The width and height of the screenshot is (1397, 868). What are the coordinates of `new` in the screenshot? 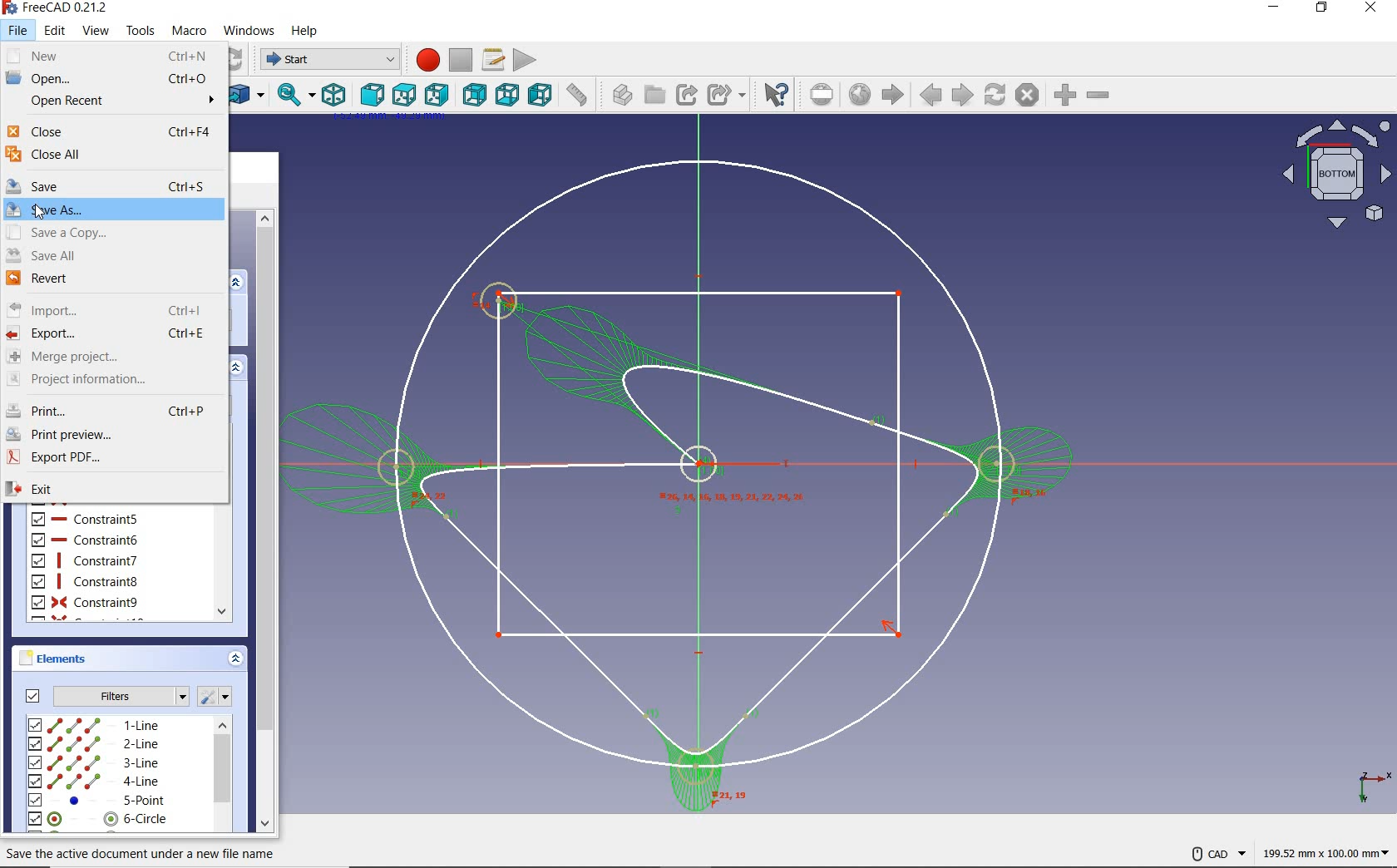 It's located at (112, 56).